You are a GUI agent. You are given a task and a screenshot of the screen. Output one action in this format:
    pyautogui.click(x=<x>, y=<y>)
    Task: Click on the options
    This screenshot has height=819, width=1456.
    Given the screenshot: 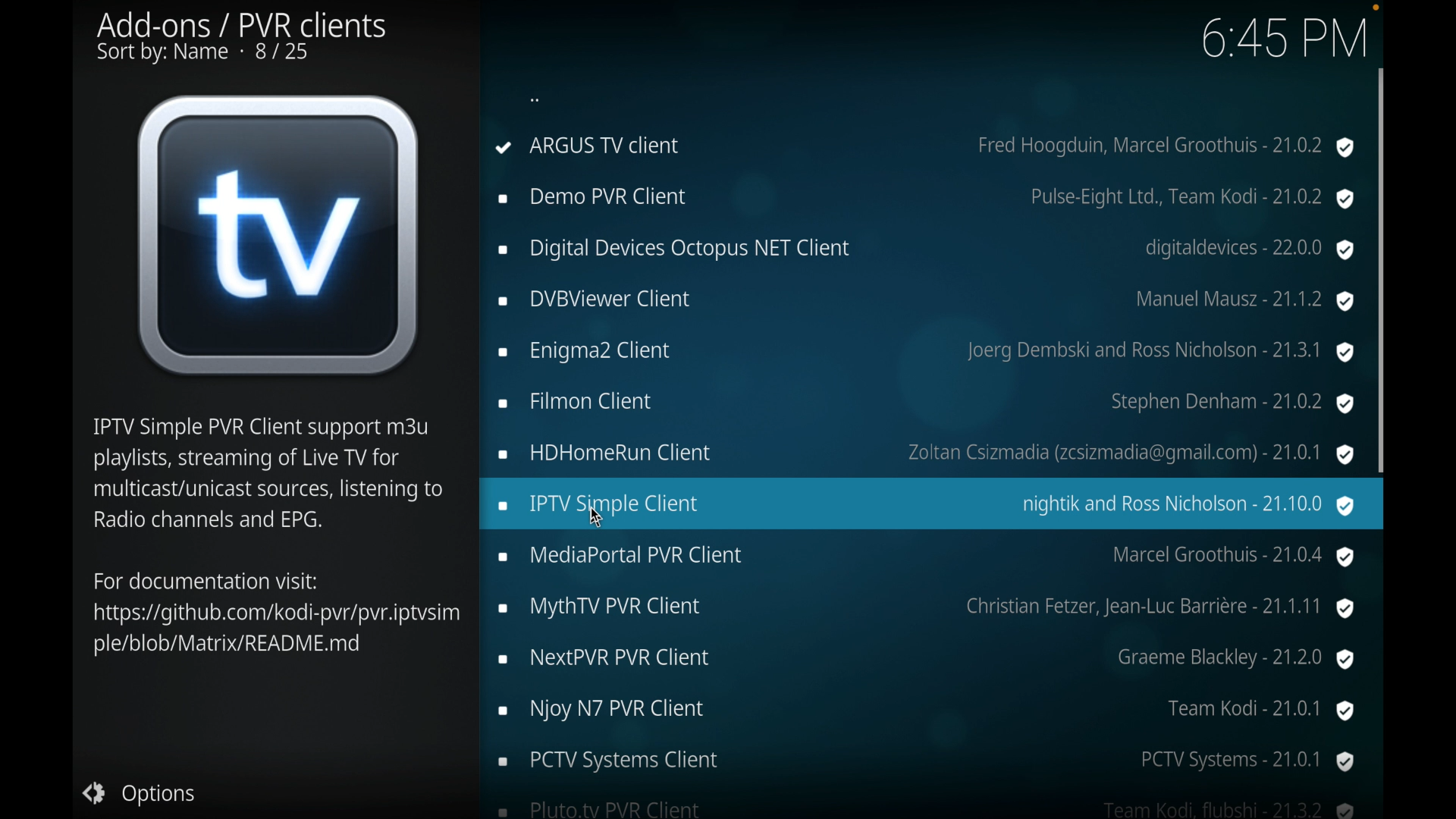 What is the action you would take?
    pyautogui.click(x=144, y=794)
    